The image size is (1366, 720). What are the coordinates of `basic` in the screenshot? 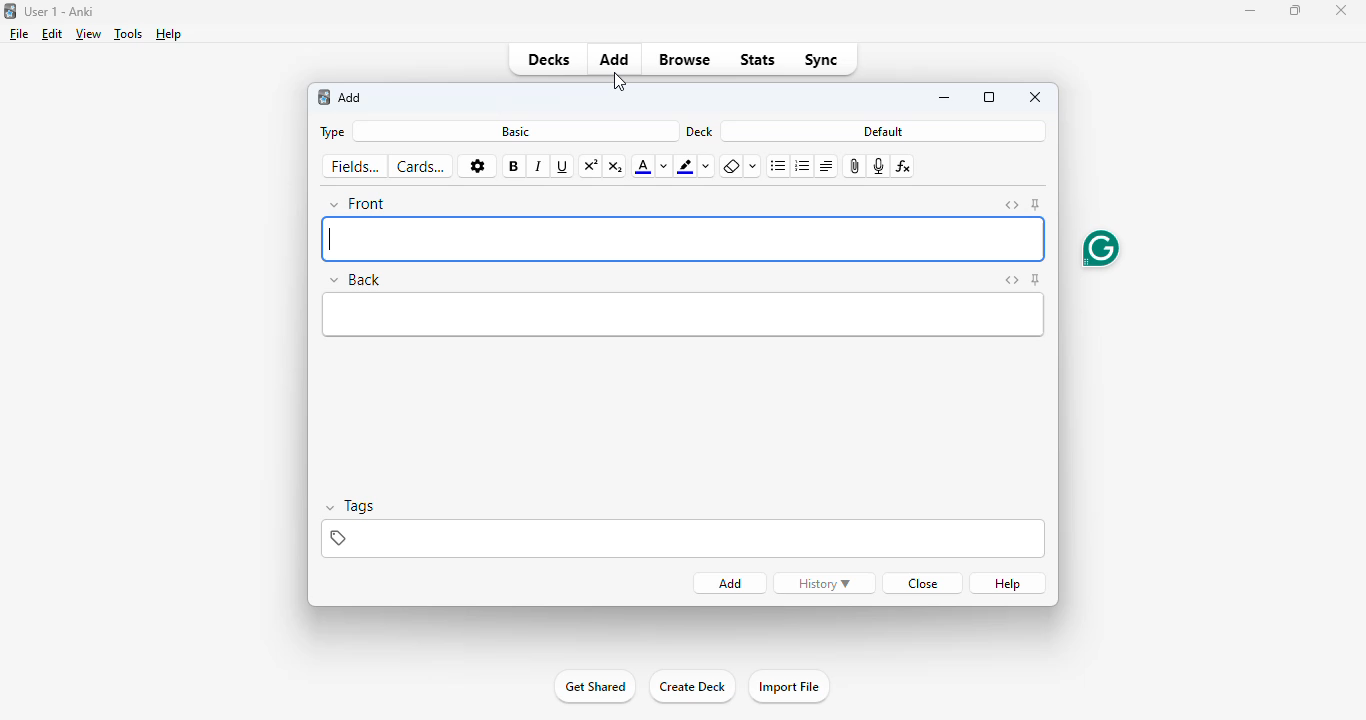 It's located at (515, 131).